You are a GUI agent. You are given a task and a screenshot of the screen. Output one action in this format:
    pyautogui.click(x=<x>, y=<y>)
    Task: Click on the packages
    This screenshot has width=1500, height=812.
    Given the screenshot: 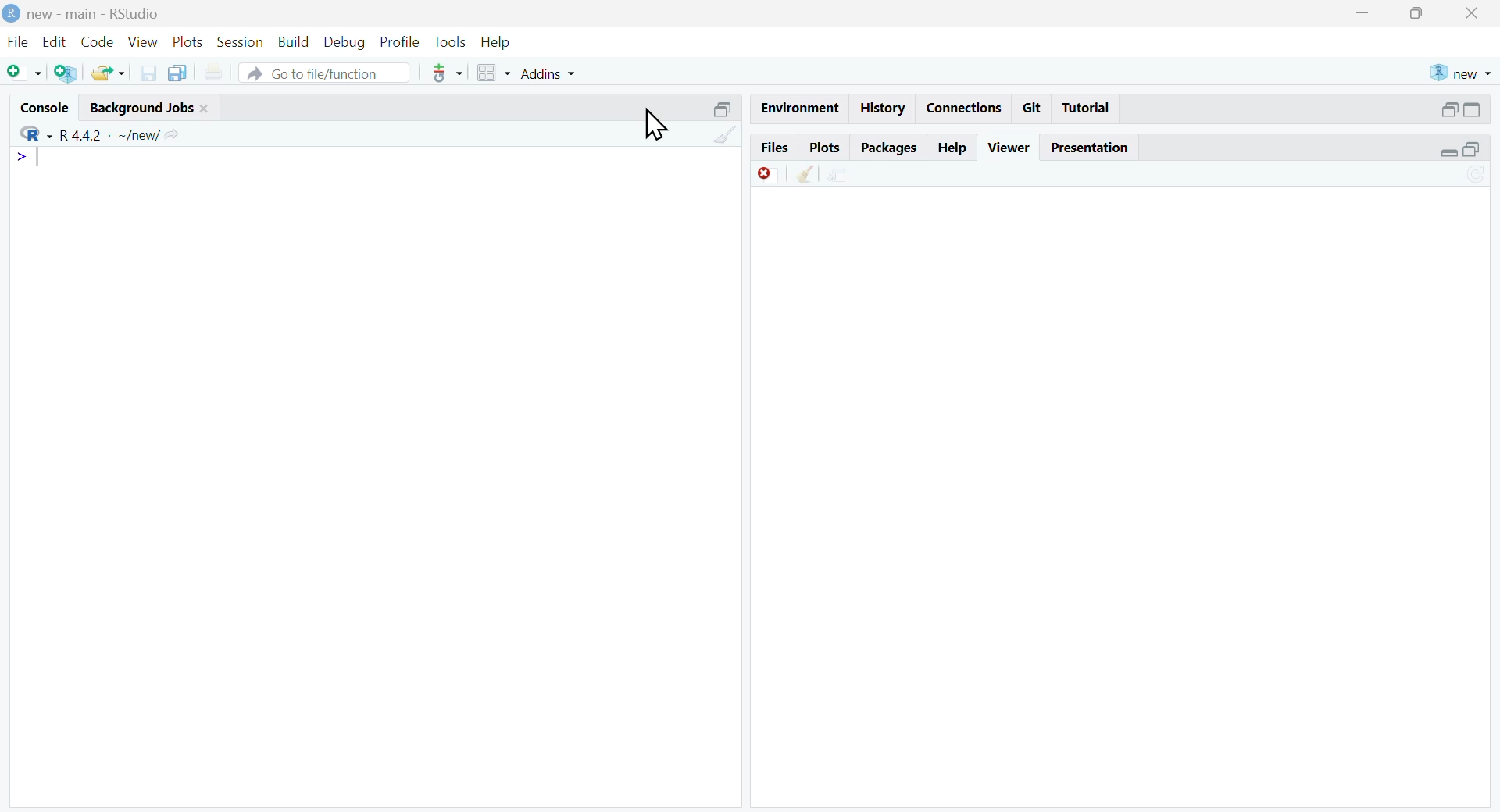 What is the action you would take?
    pyautogui.click(x=890, y=148)
    